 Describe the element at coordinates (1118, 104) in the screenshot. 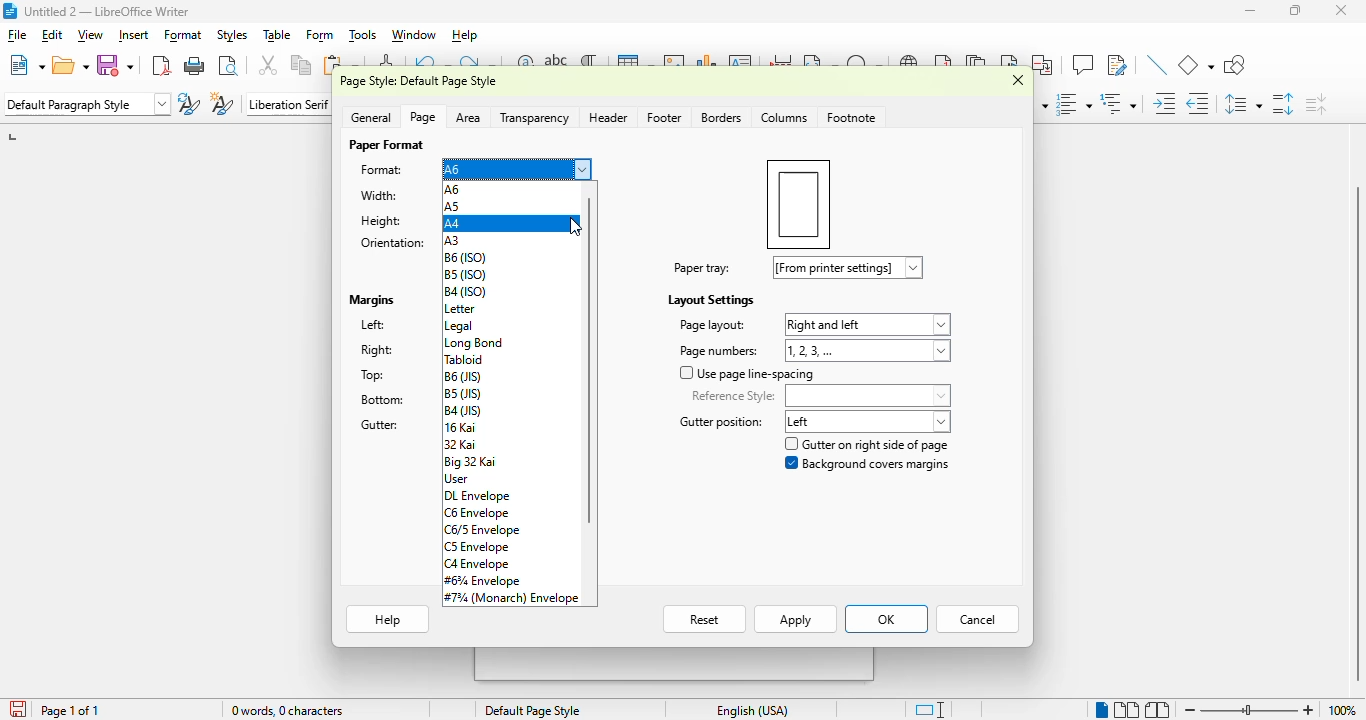

I see `select outline format` at that location.